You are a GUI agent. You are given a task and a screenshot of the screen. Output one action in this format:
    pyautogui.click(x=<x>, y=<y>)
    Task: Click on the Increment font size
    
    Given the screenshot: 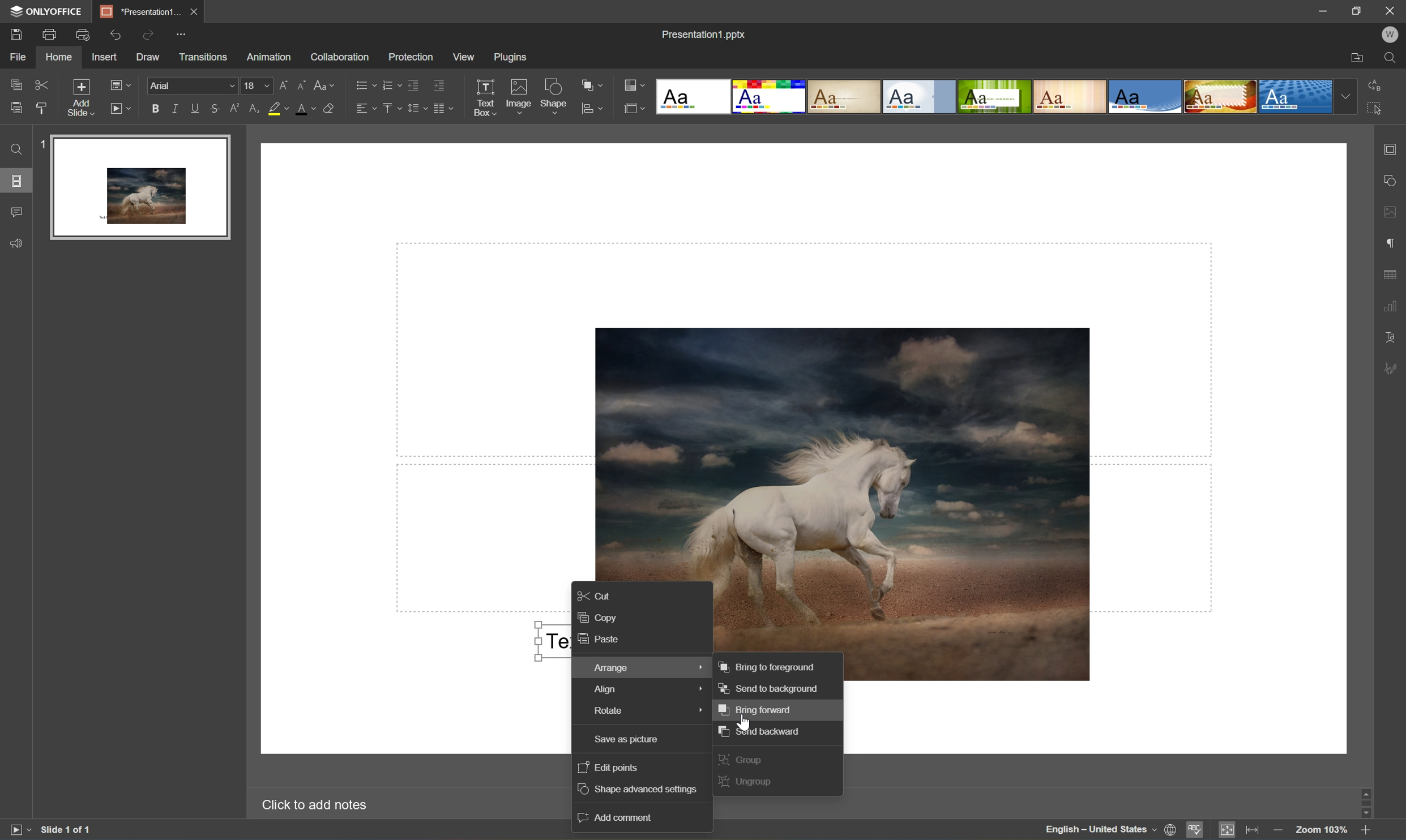 What is the action you would take?
    pyautogui.click(x=282, y=84)
    